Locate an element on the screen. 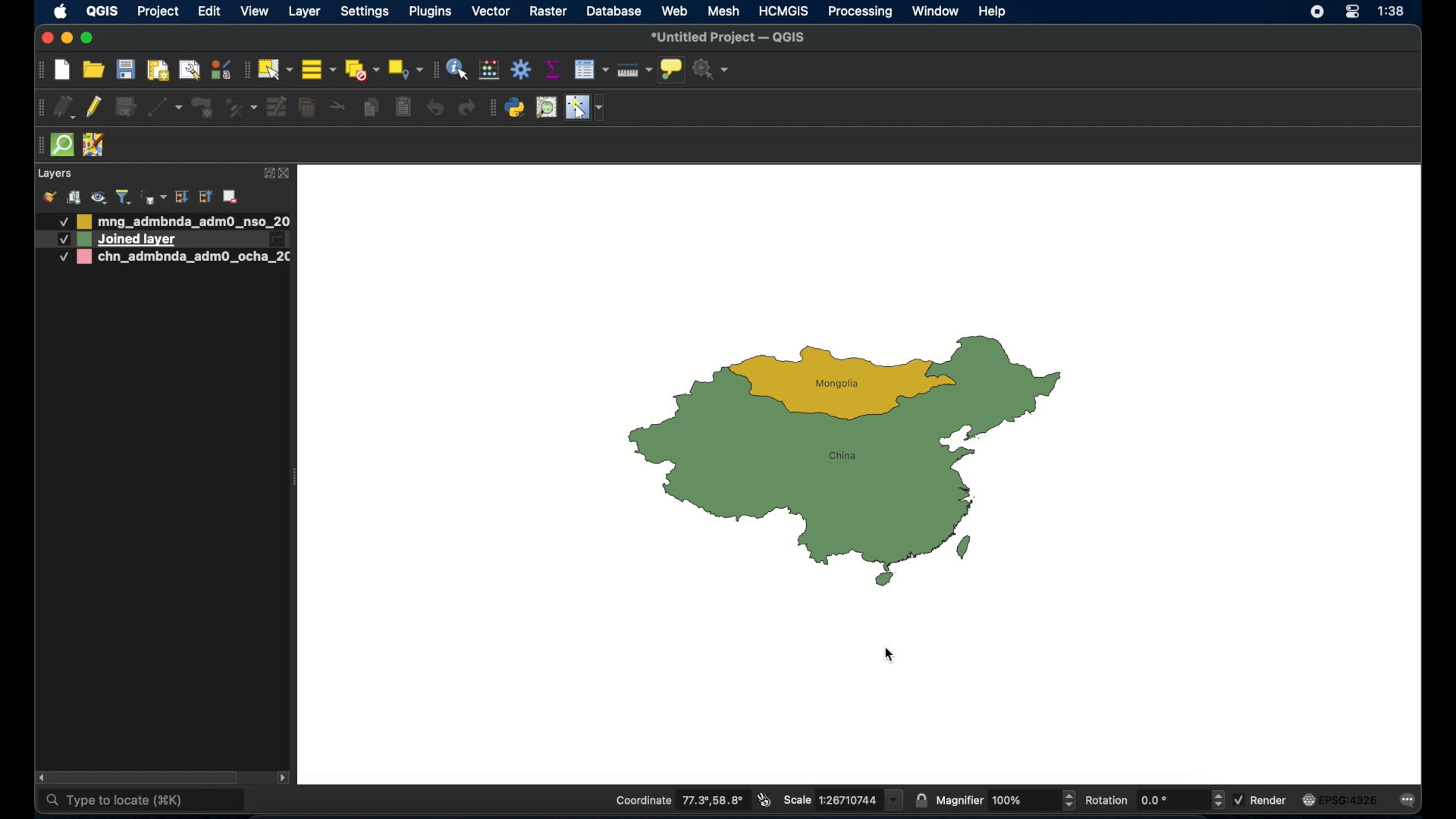 This screenshot has width=1456, height=819. project is located at coordinates (156, 13).